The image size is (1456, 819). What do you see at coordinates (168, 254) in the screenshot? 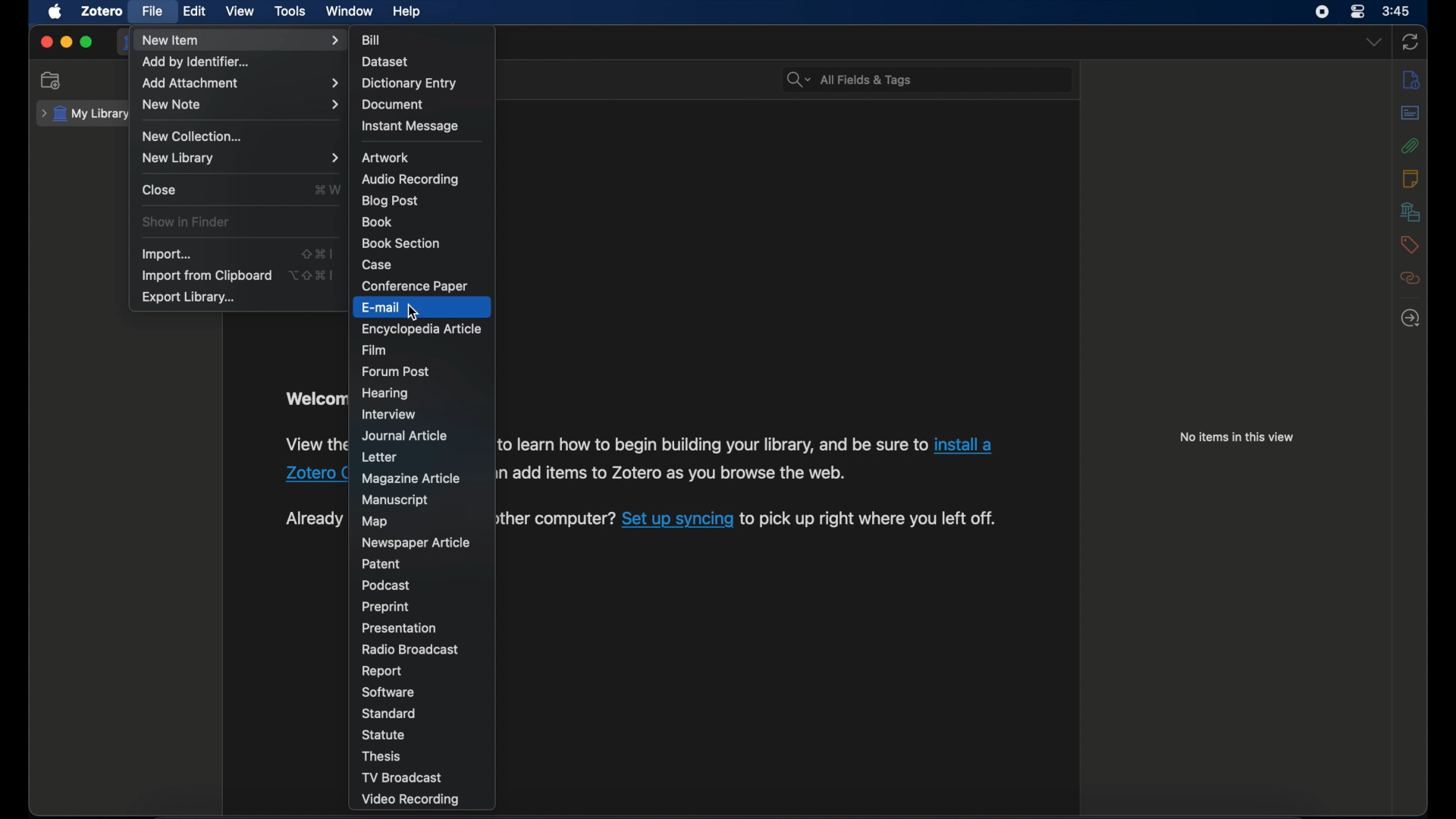
I see `import` at bounding box center [168, 254].